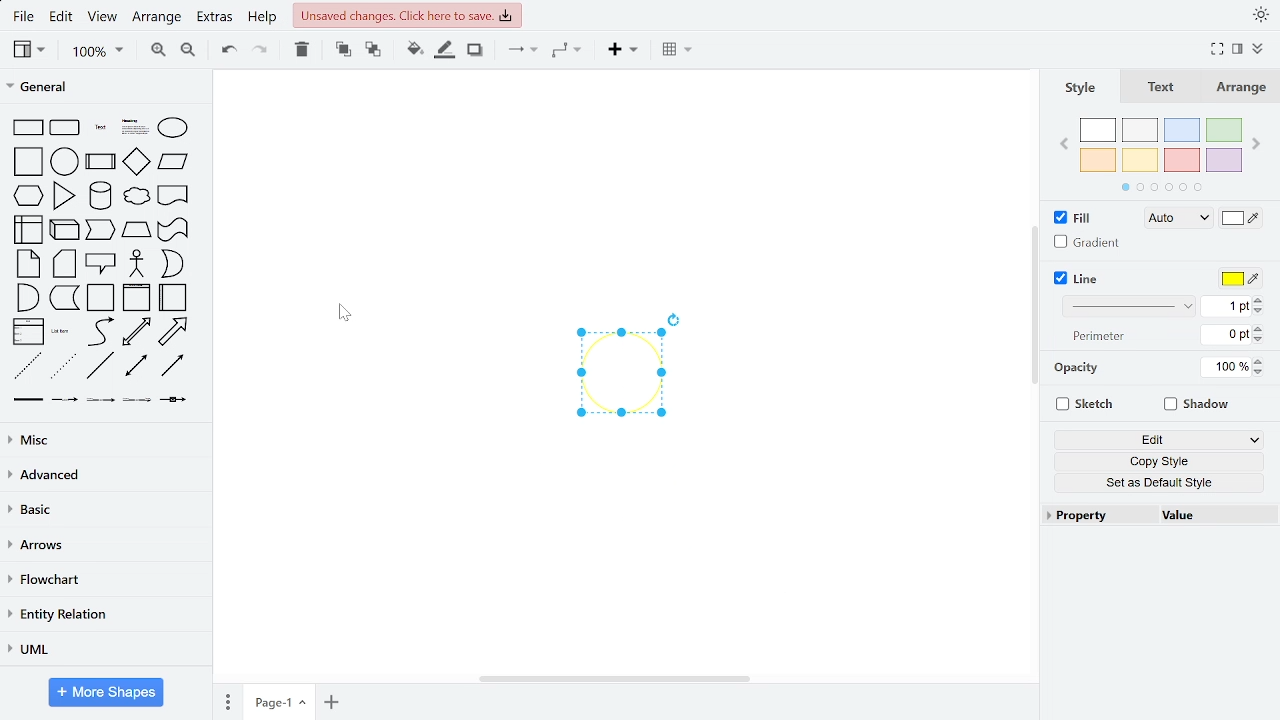  I want to click on link 3 label, so click(137, 400).